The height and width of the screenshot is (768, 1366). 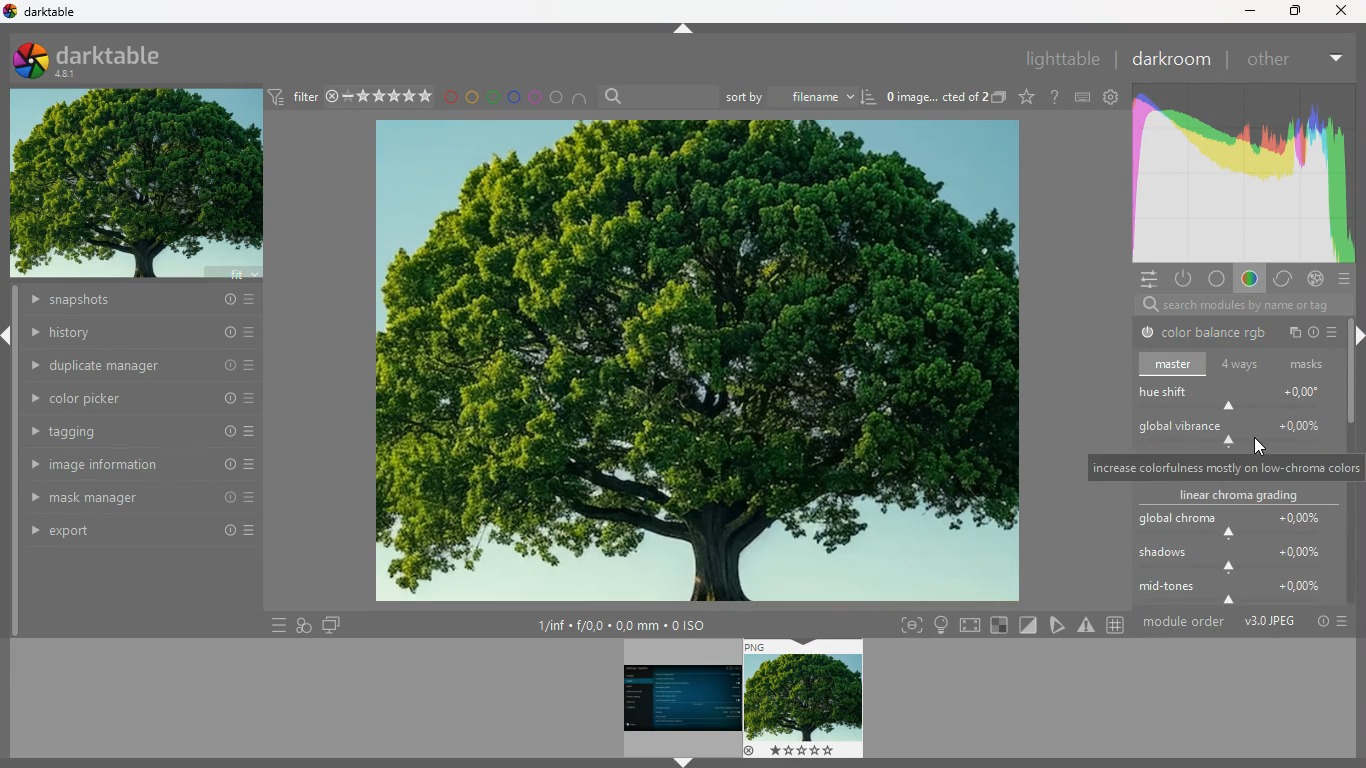 I want to click on details, so click(x=632, y=626).